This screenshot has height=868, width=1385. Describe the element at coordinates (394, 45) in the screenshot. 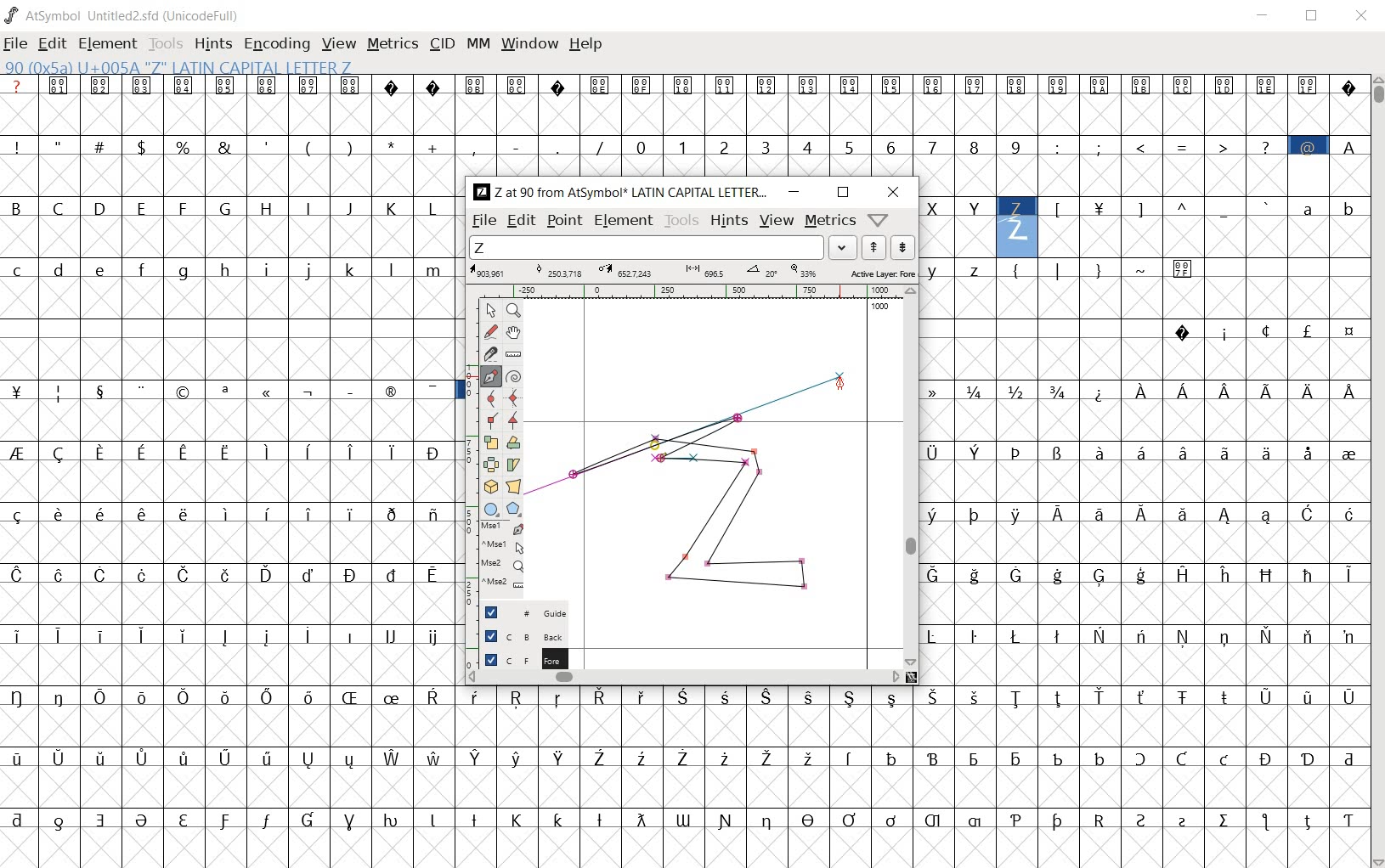

I see `metrics` at that location.